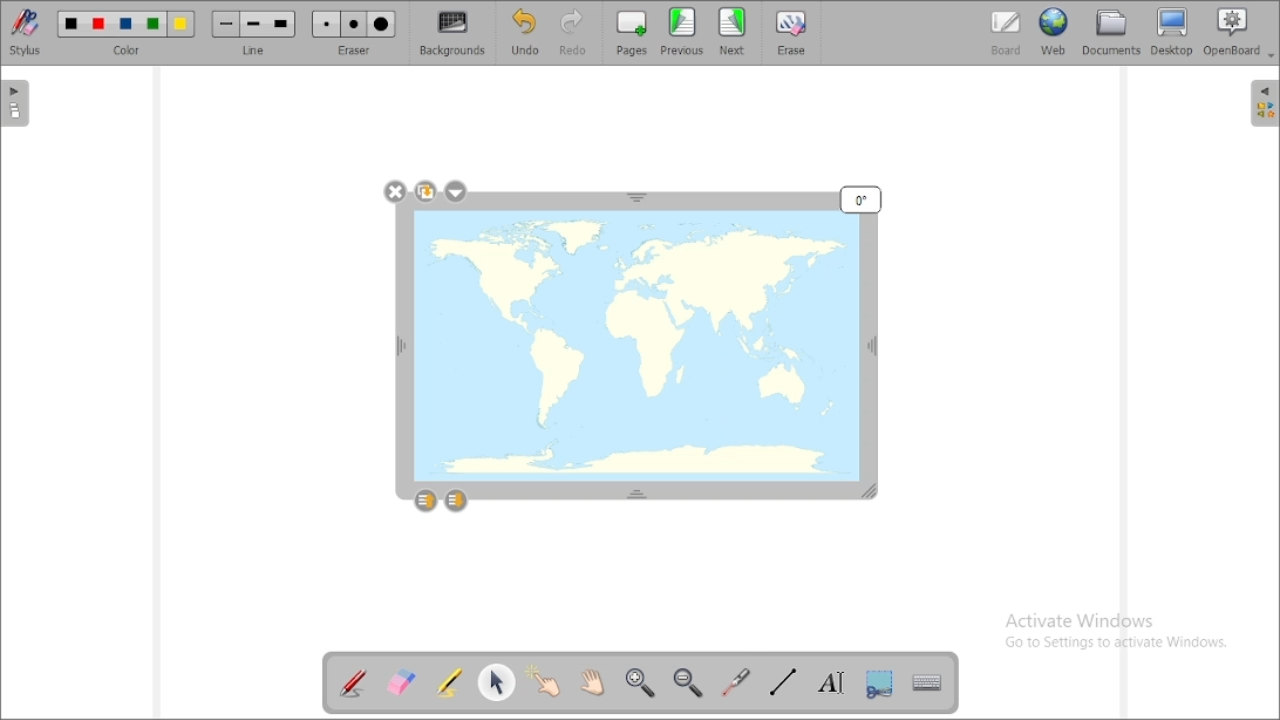  Describe the element at coordinates (1234, 32) in the screenshot. I see `openboard` at that location.